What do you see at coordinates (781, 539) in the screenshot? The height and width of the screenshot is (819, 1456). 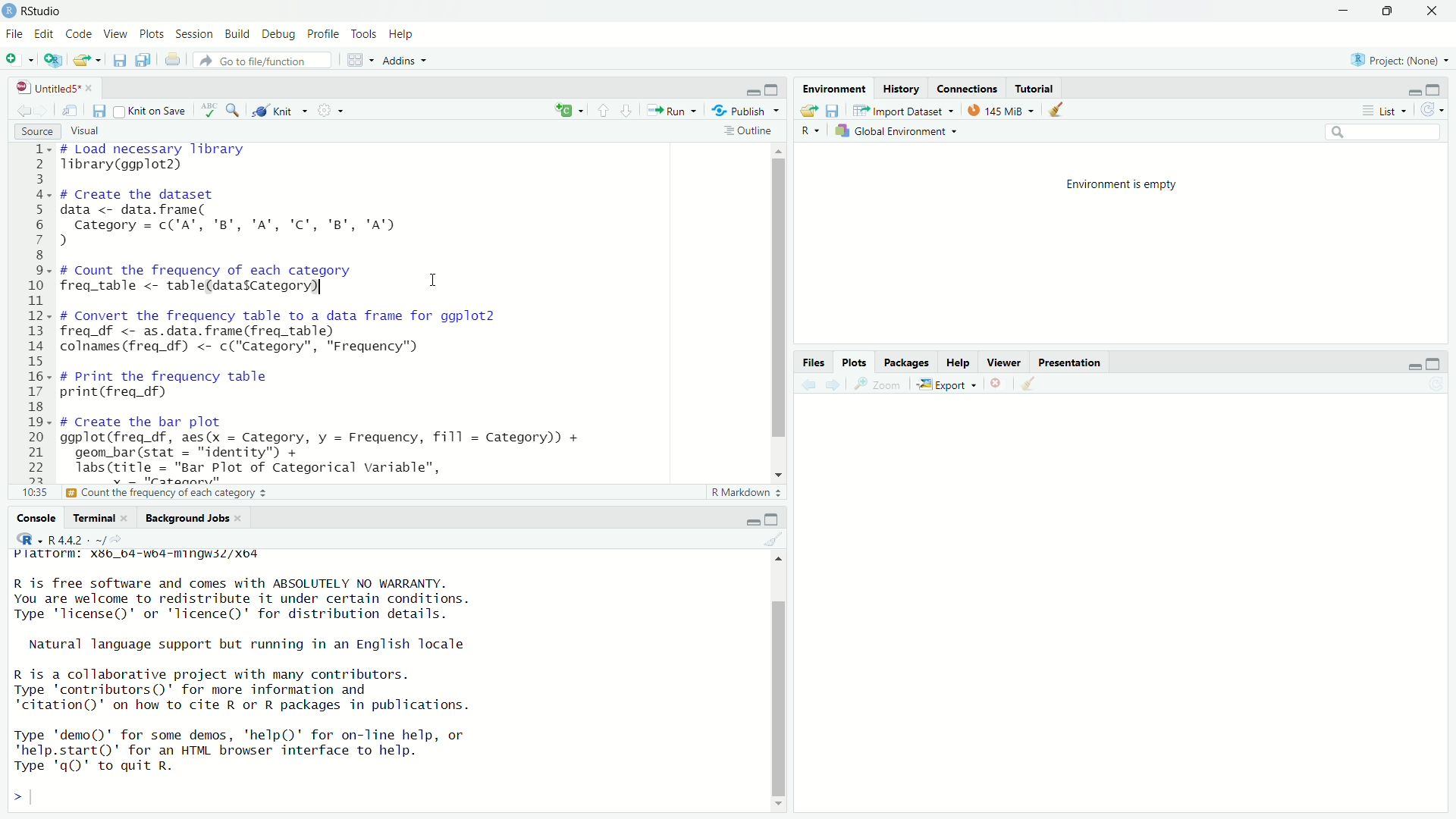 I see `clear console` at bounding box center [781, 539].